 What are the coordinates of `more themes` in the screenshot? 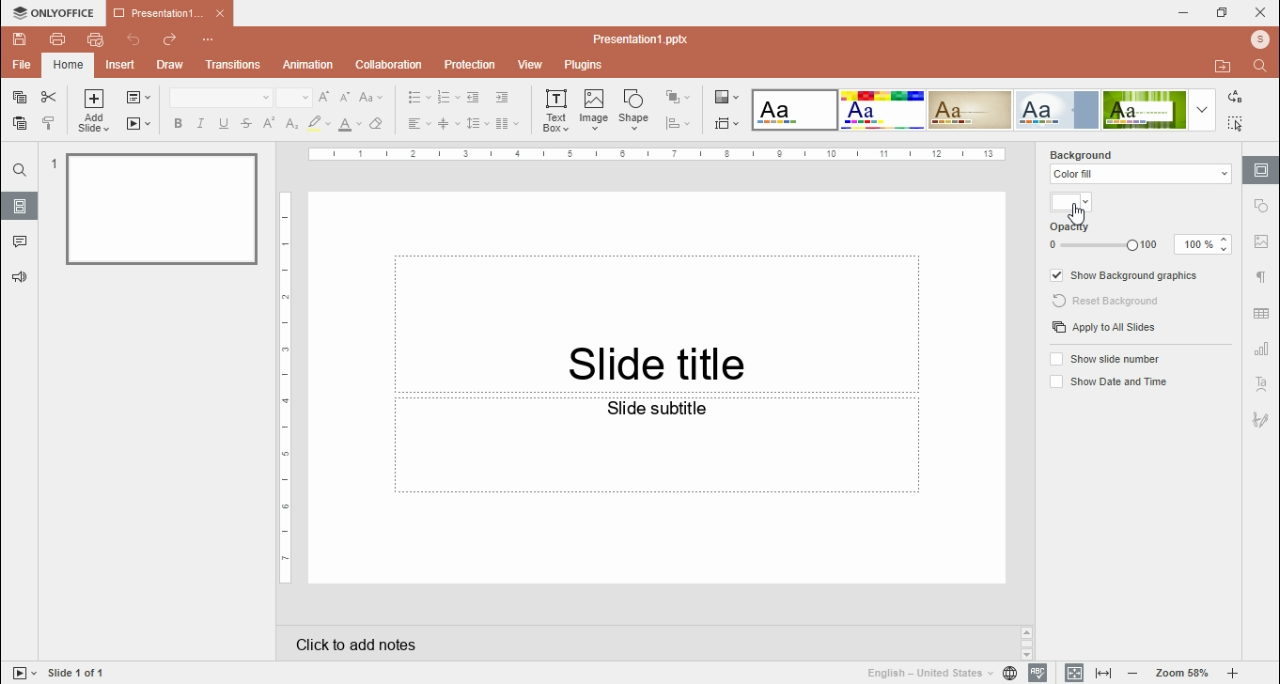 It's located at (1202, 109).